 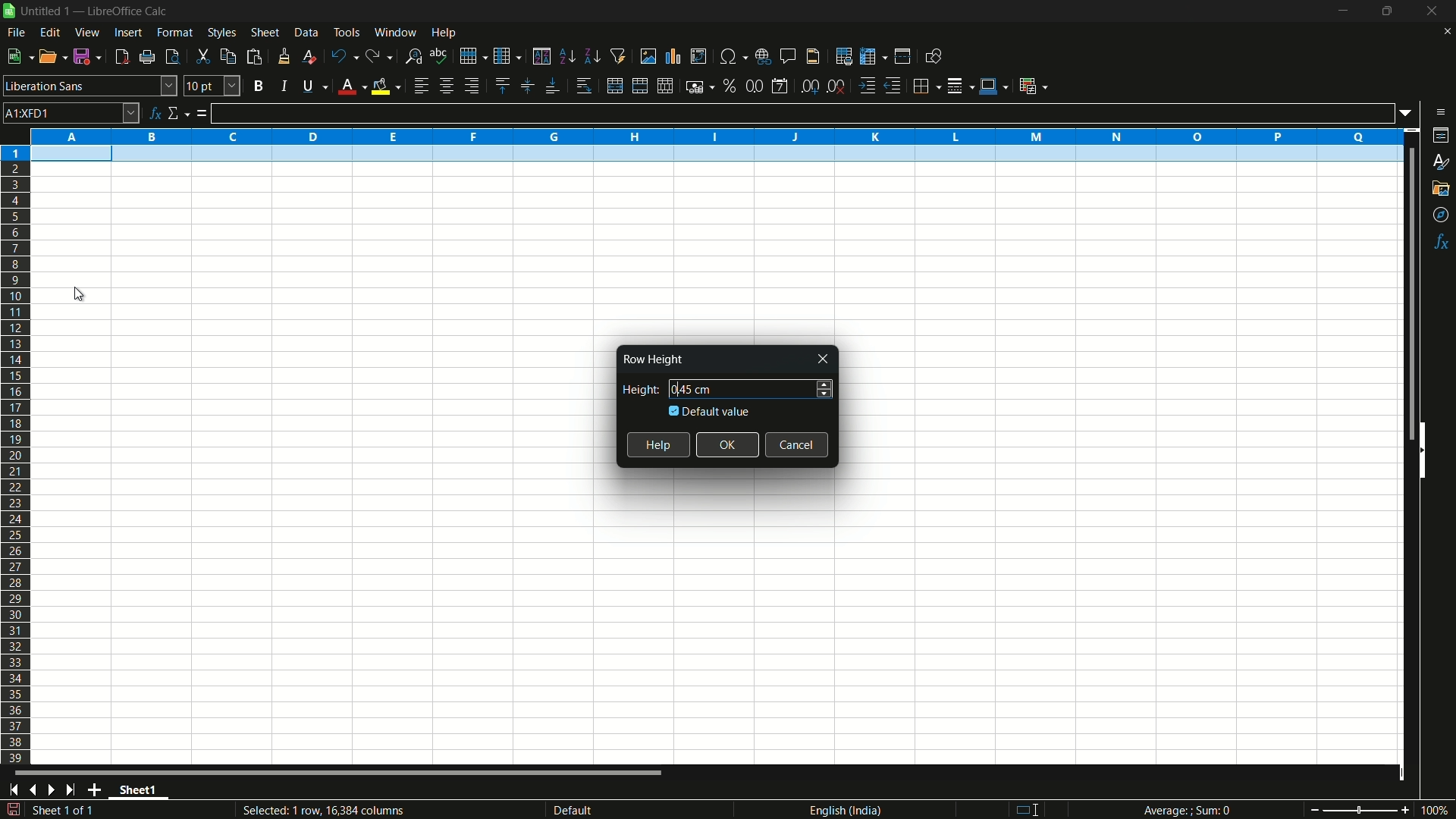 I want to click on ok, so click(x=729, y=444).